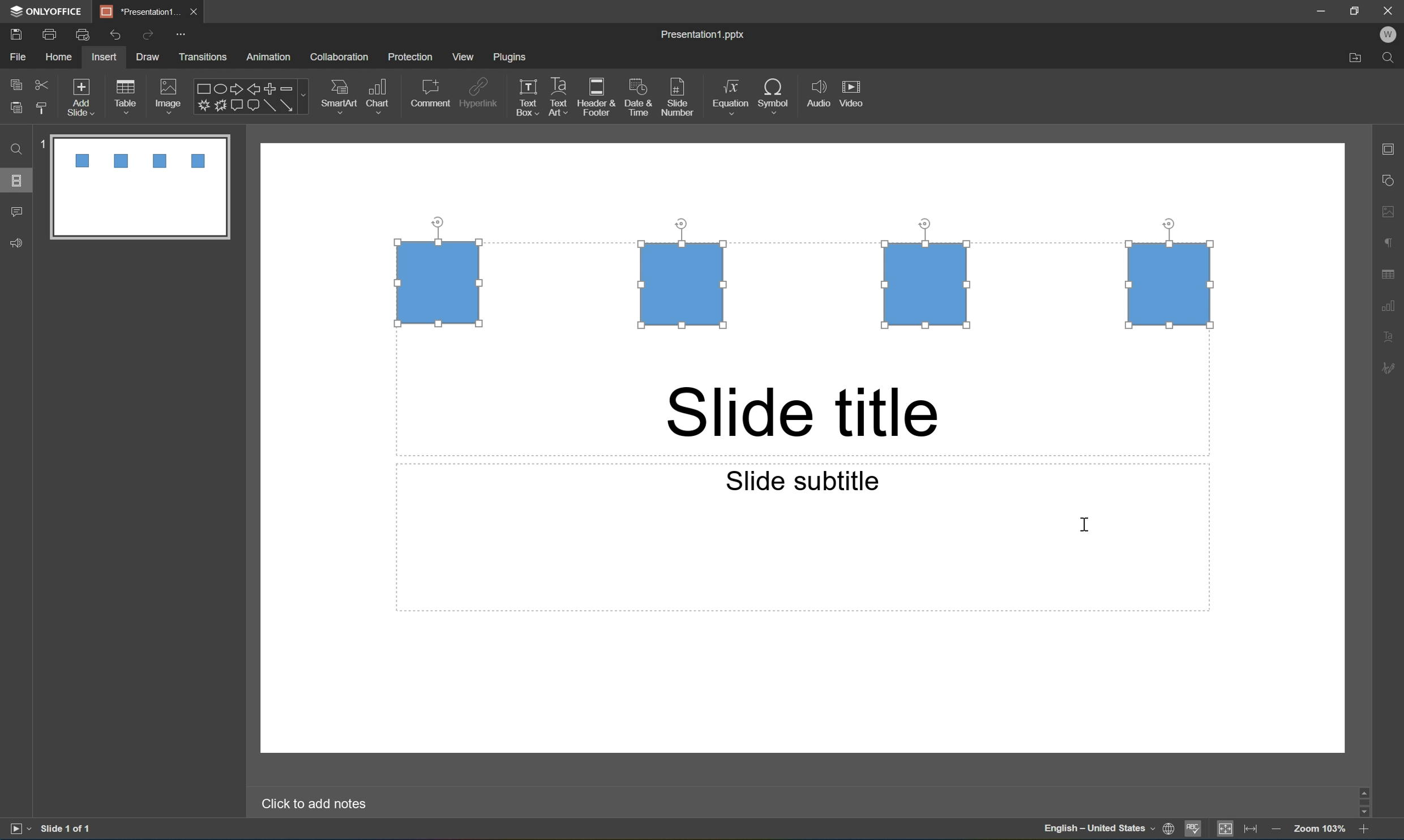 The image size is (1404, 840). Describe the element at coordinates (430, 93) in the screenshot. I see `comment` at that location.